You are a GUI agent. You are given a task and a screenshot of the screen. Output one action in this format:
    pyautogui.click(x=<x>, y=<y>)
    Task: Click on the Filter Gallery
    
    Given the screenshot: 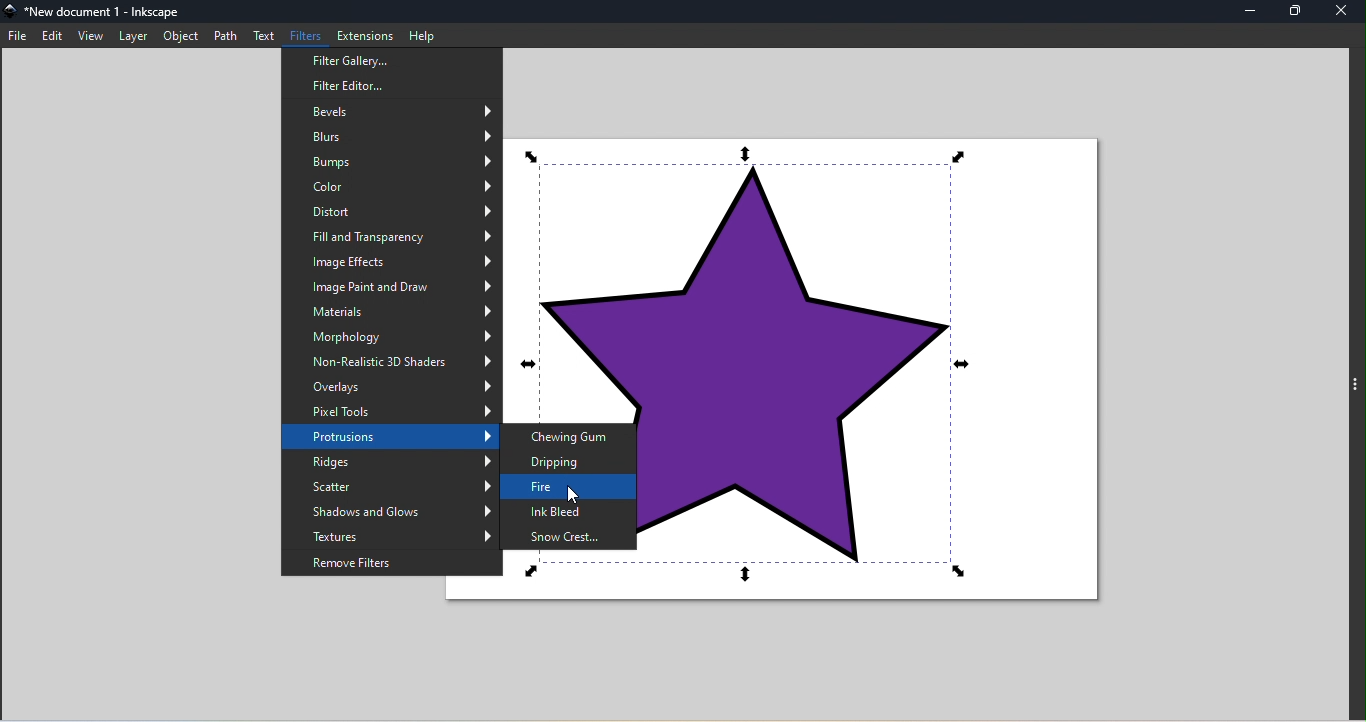 What is the action you would take?
    pyautogui.click(x=392, y=58)
    